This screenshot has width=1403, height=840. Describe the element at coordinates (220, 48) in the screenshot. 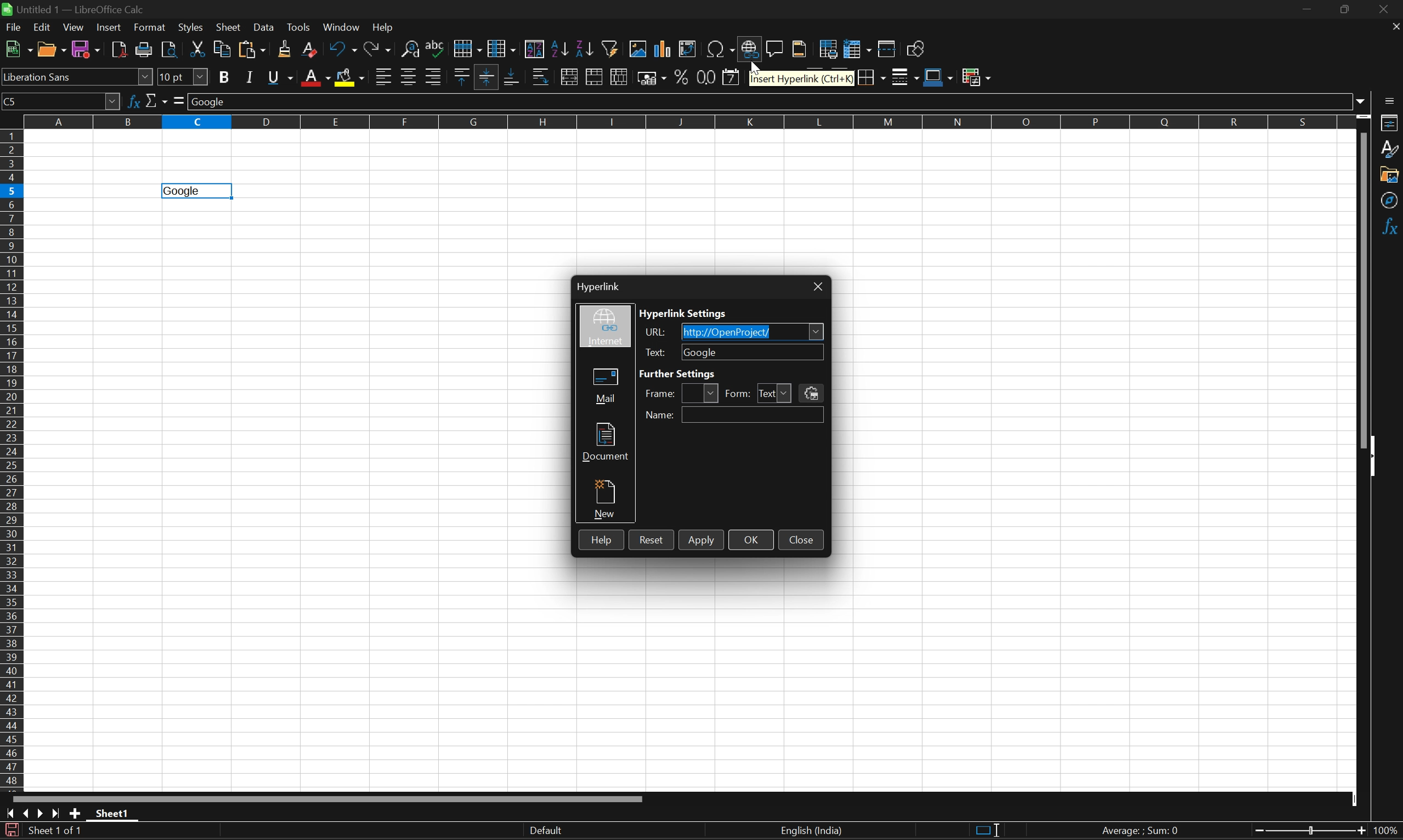

I see `Copy` at that location.